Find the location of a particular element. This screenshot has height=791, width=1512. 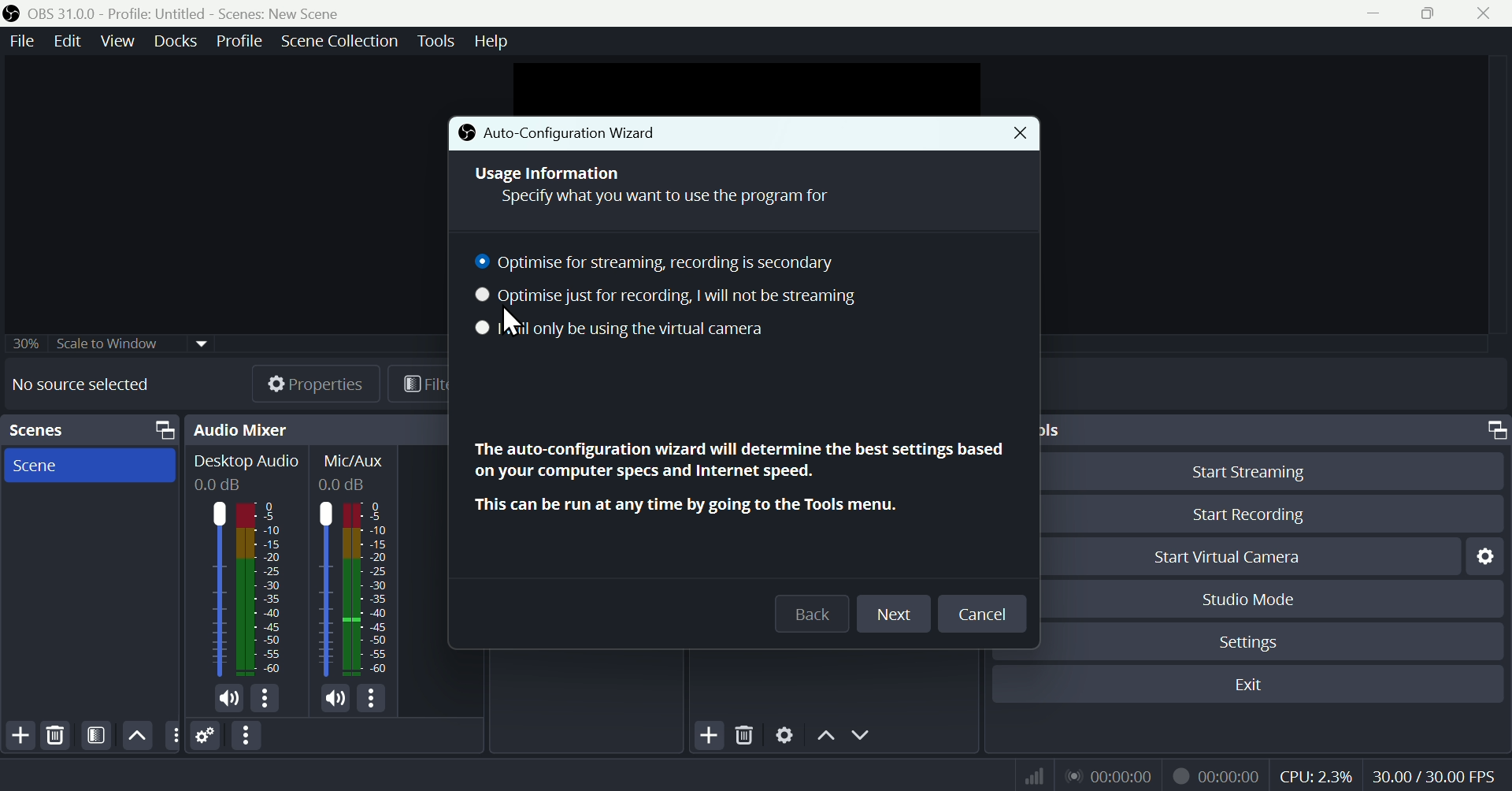

mic is located at coordinates (336, 697).